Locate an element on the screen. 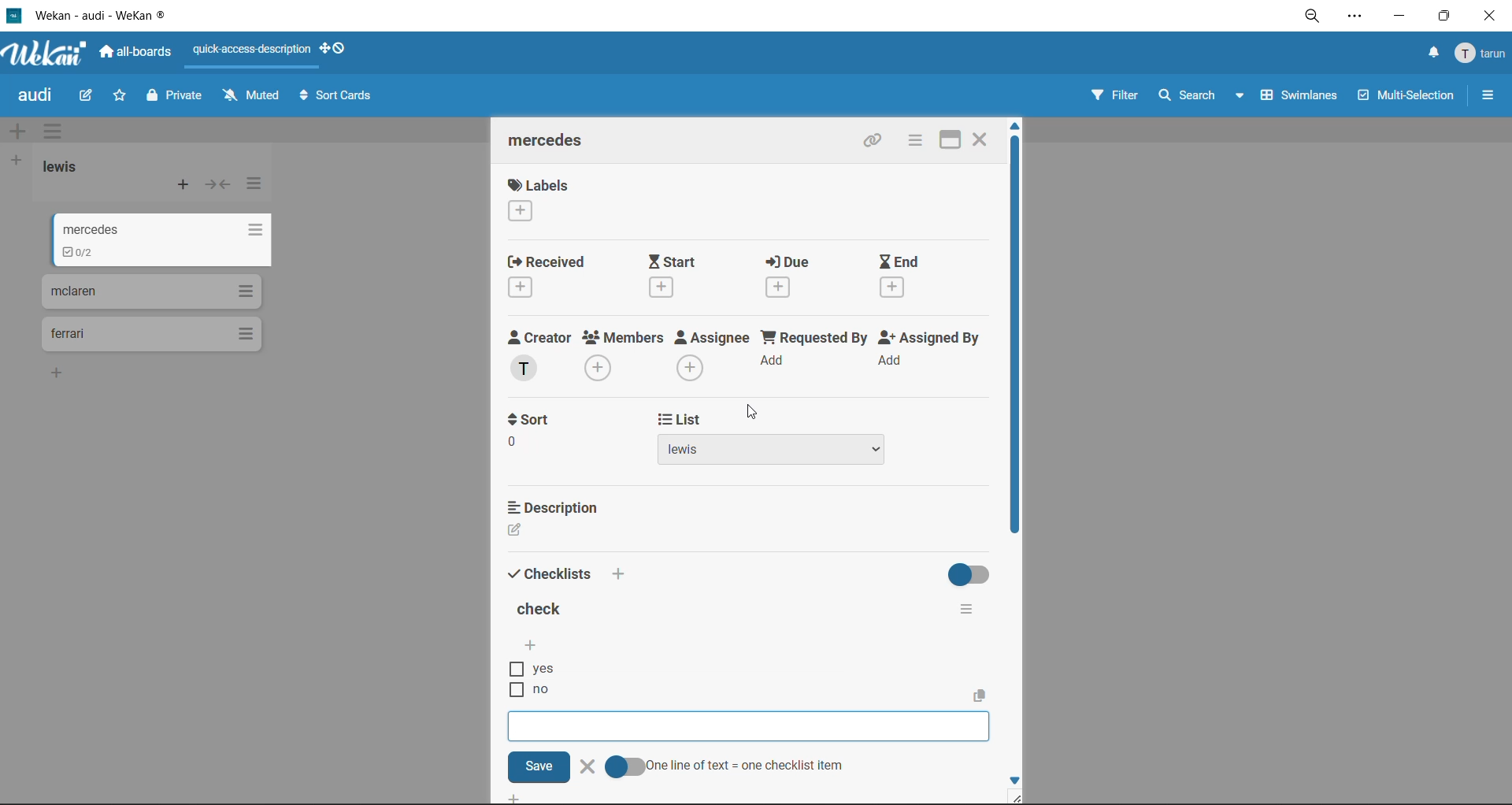 The image size is (1512, 805). muted is located at coordinates (250, 96).